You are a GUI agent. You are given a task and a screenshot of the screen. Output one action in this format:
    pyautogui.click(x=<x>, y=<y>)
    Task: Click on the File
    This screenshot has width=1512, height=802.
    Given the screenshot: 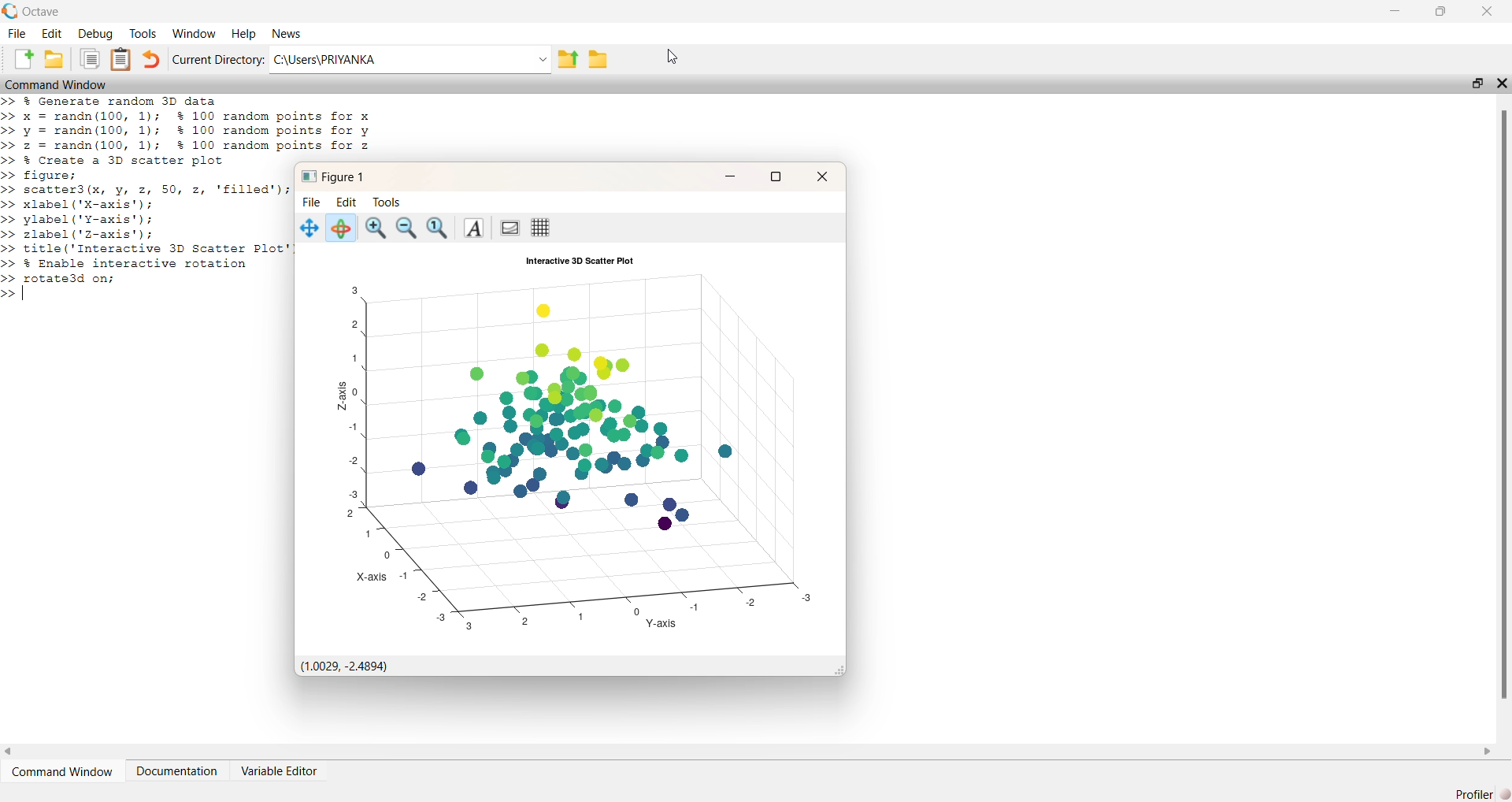 What is the action you would take?
    pyautogui.click(x=17, y=34)
    